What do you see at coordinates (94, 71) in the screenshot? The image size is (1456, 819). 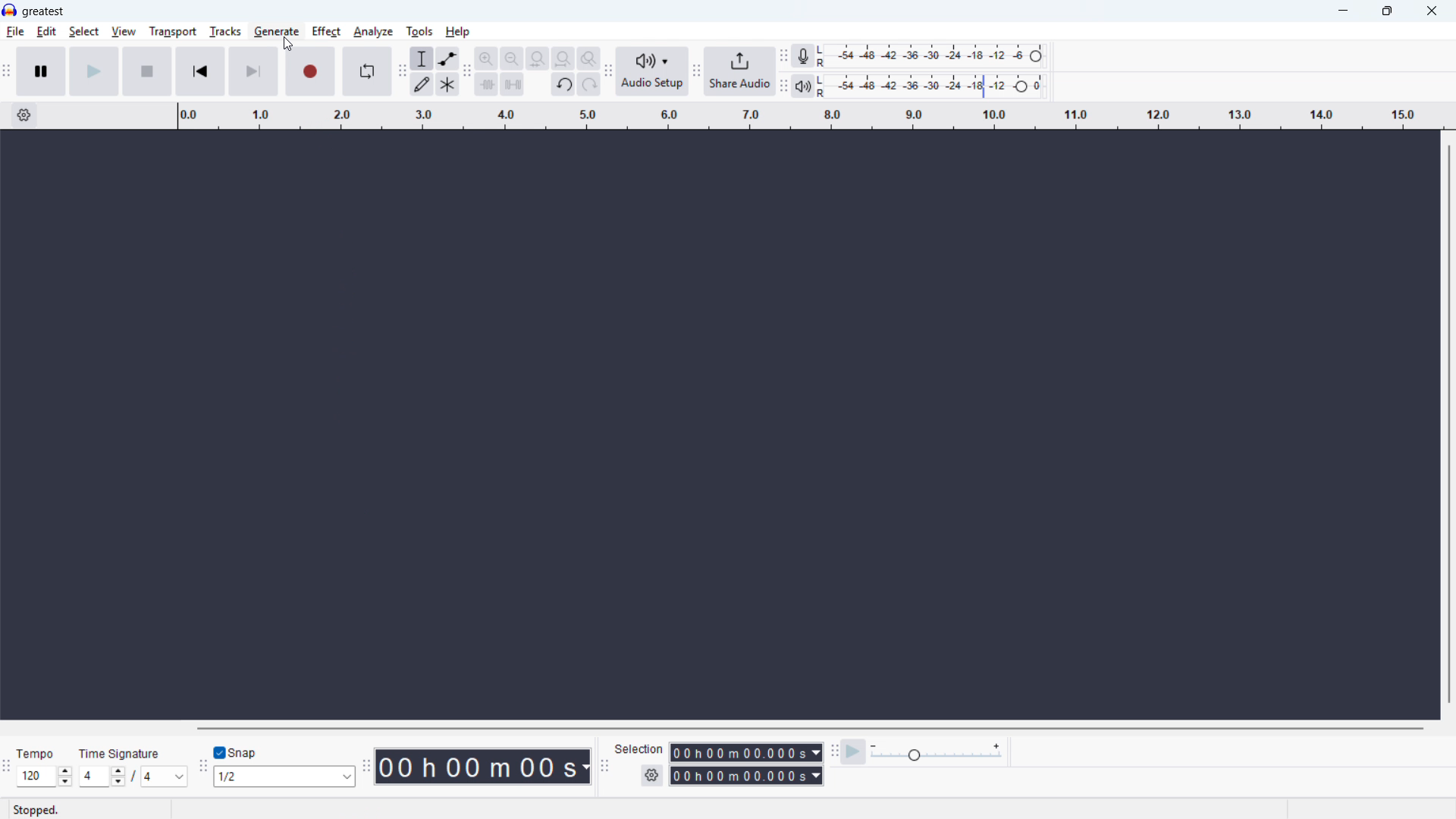 I see `play` at bounding box center [94, 71].